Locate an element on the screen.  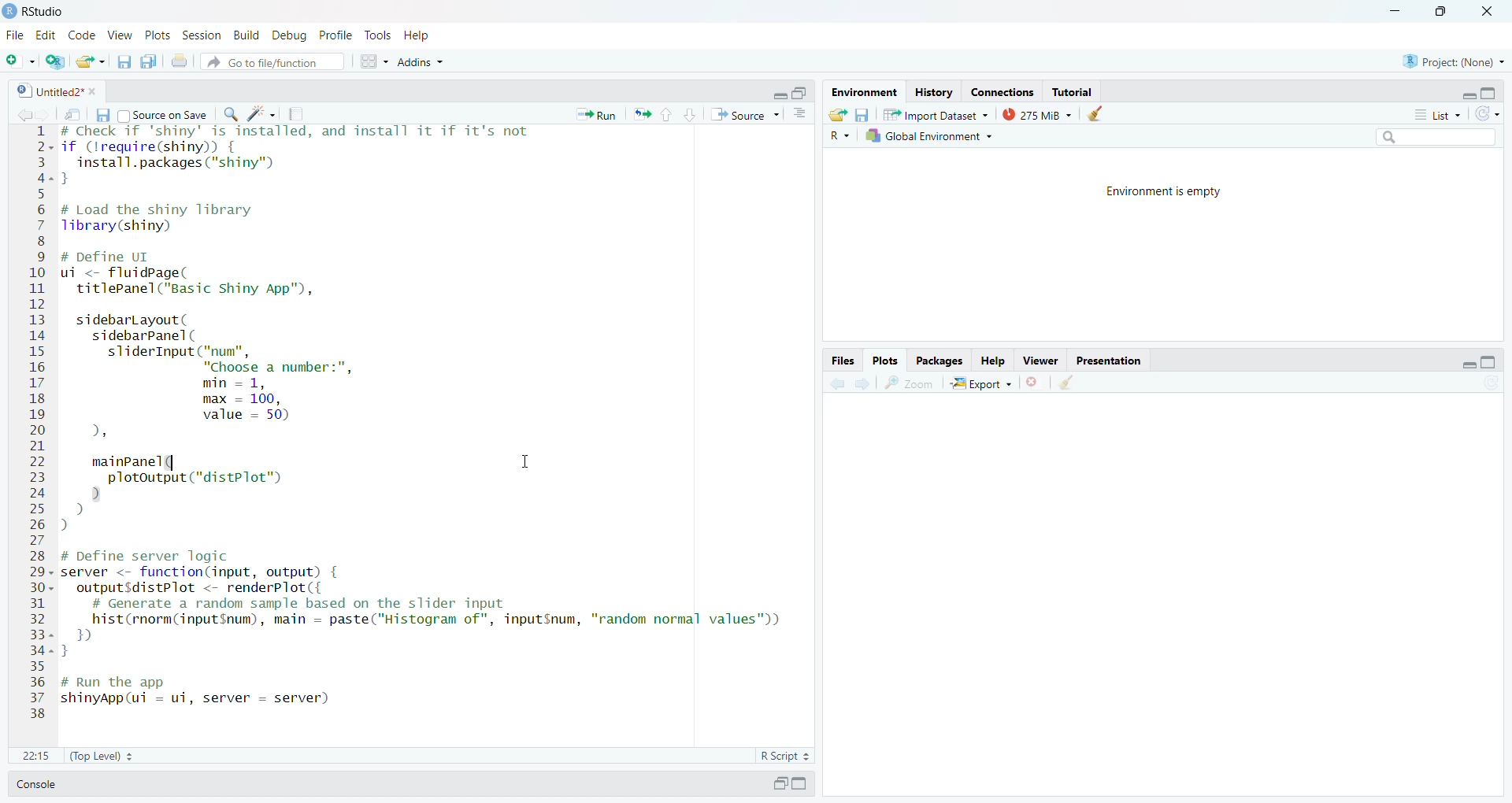
Tutorial is located at coordinates (1071, 92).